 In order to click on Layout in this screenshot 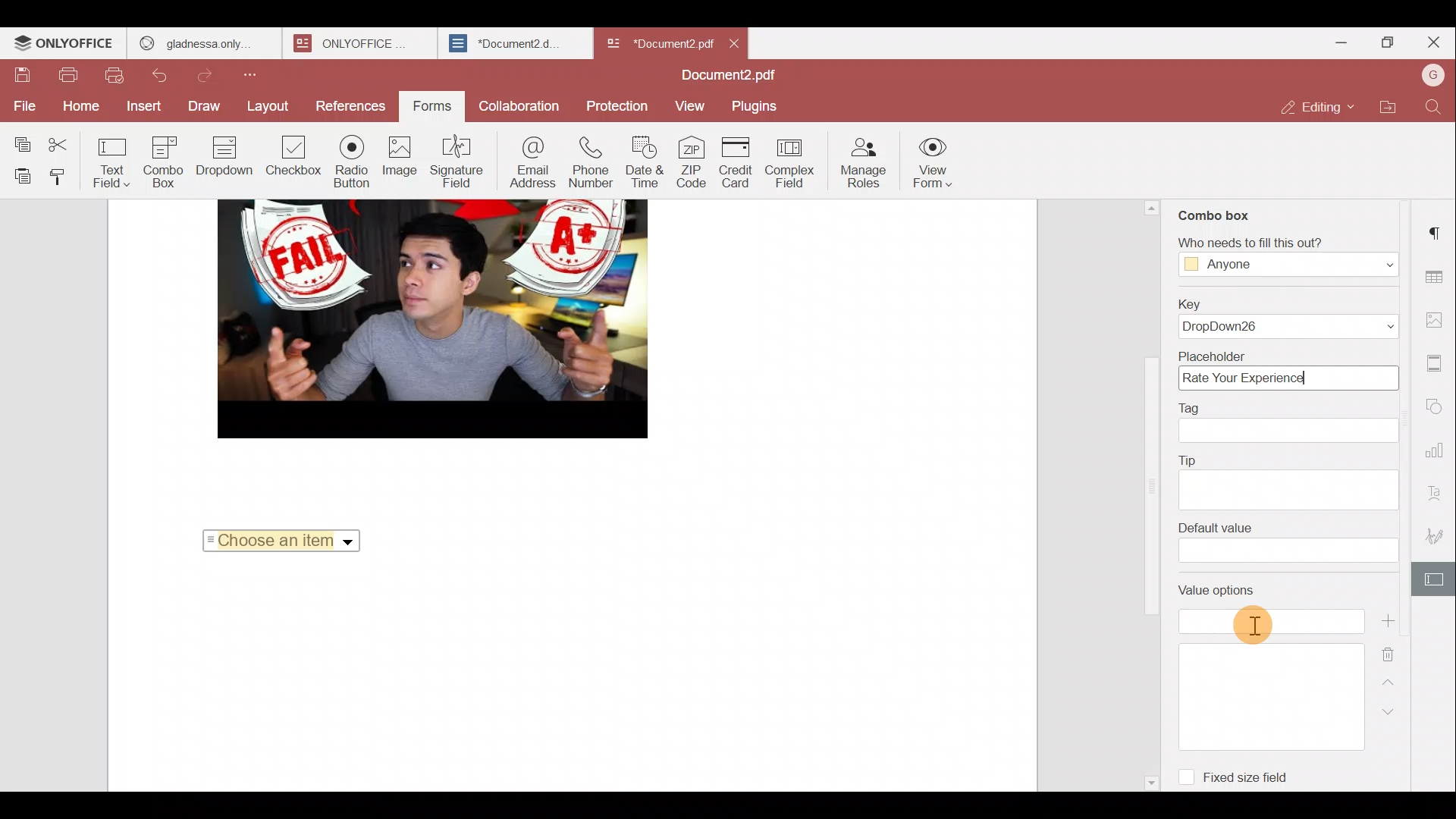, I will do `click(267, 108)`.